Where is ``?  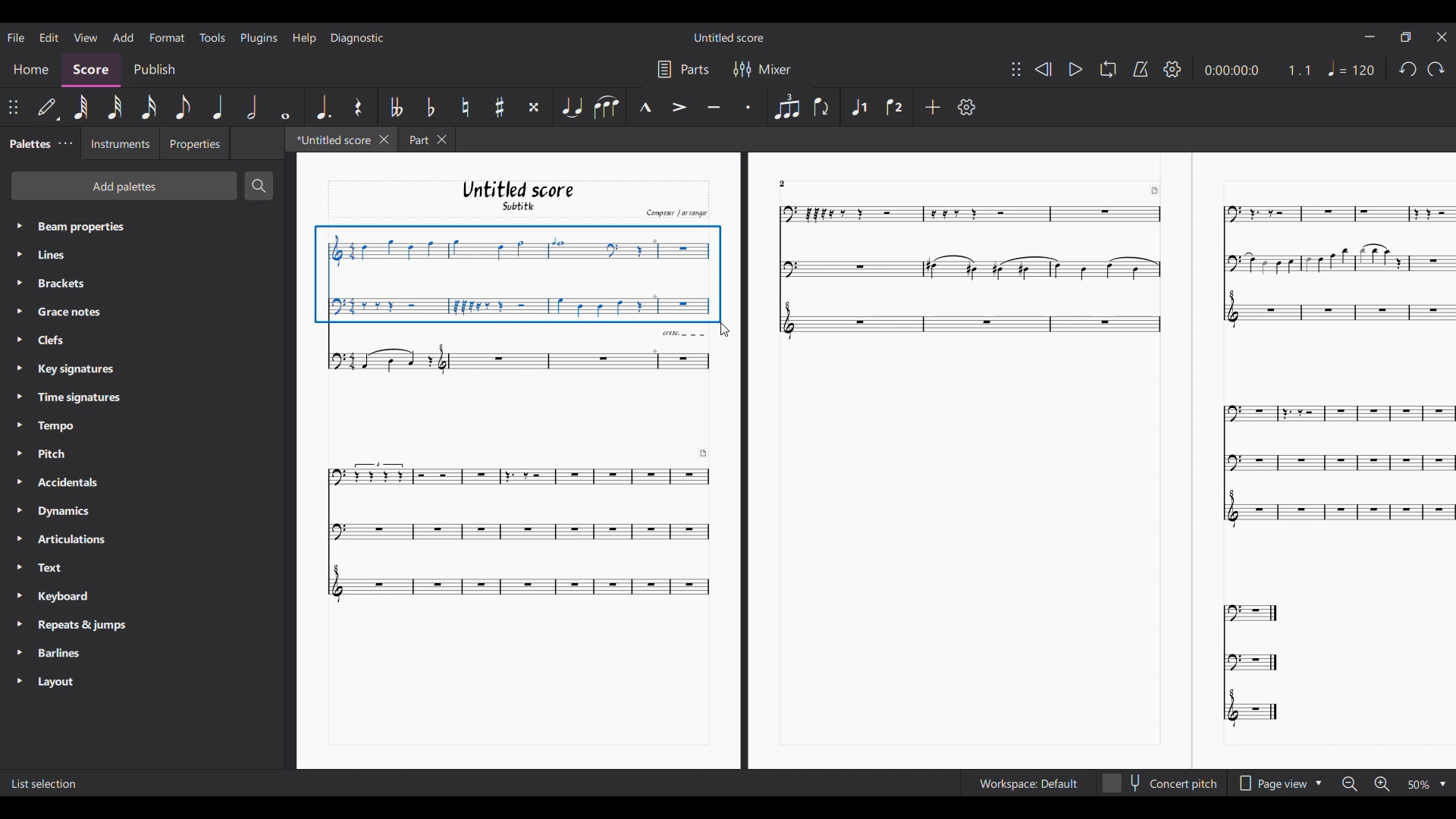  is located at coordinates (1247, 707).